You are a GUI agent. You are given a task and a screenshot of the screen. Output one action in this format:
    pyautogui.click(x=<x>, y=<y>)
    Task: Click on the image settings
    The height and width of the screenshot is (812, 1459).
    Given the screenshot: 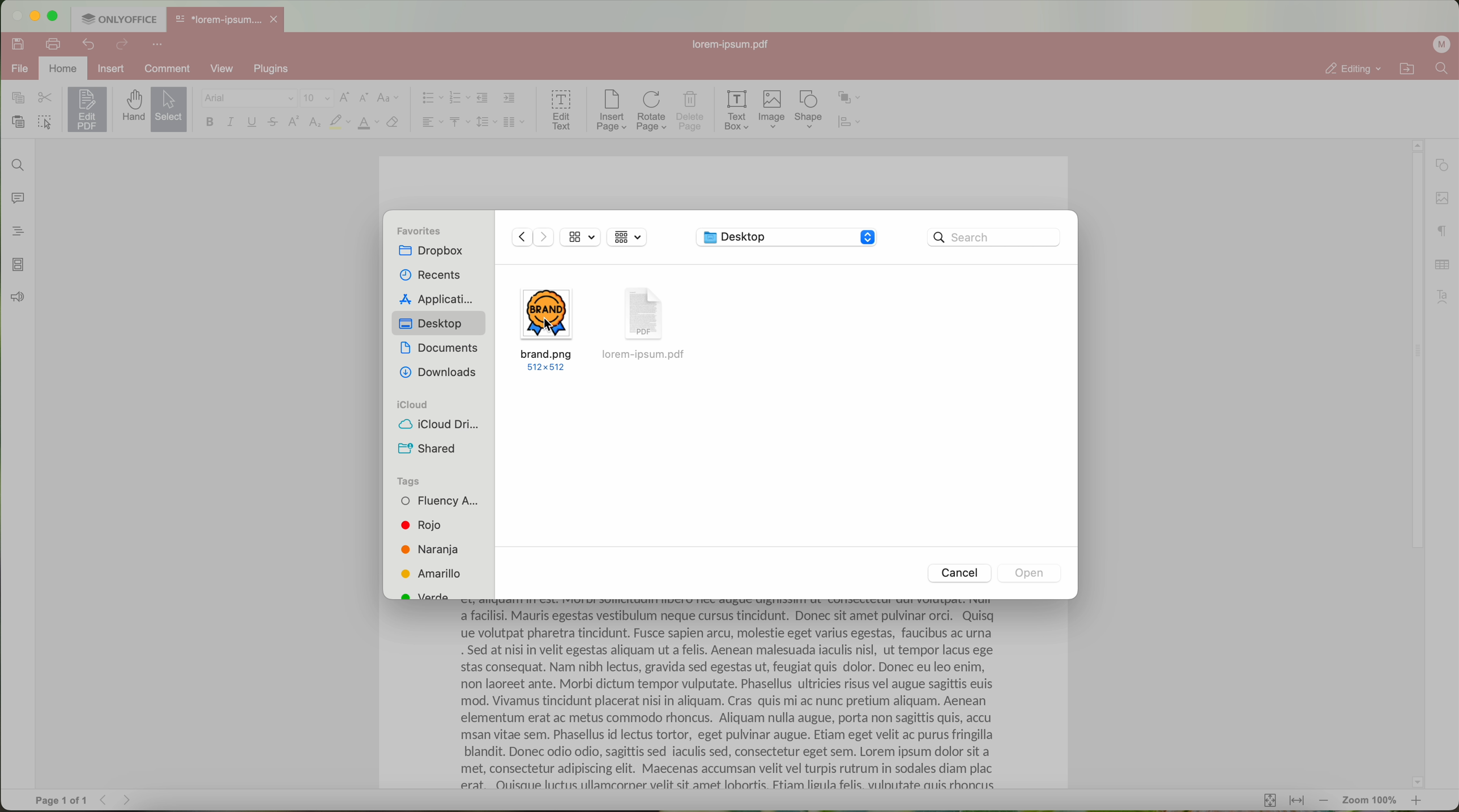 What is the action you would take?
    pyautogui.click(x=1442, y=199)
    